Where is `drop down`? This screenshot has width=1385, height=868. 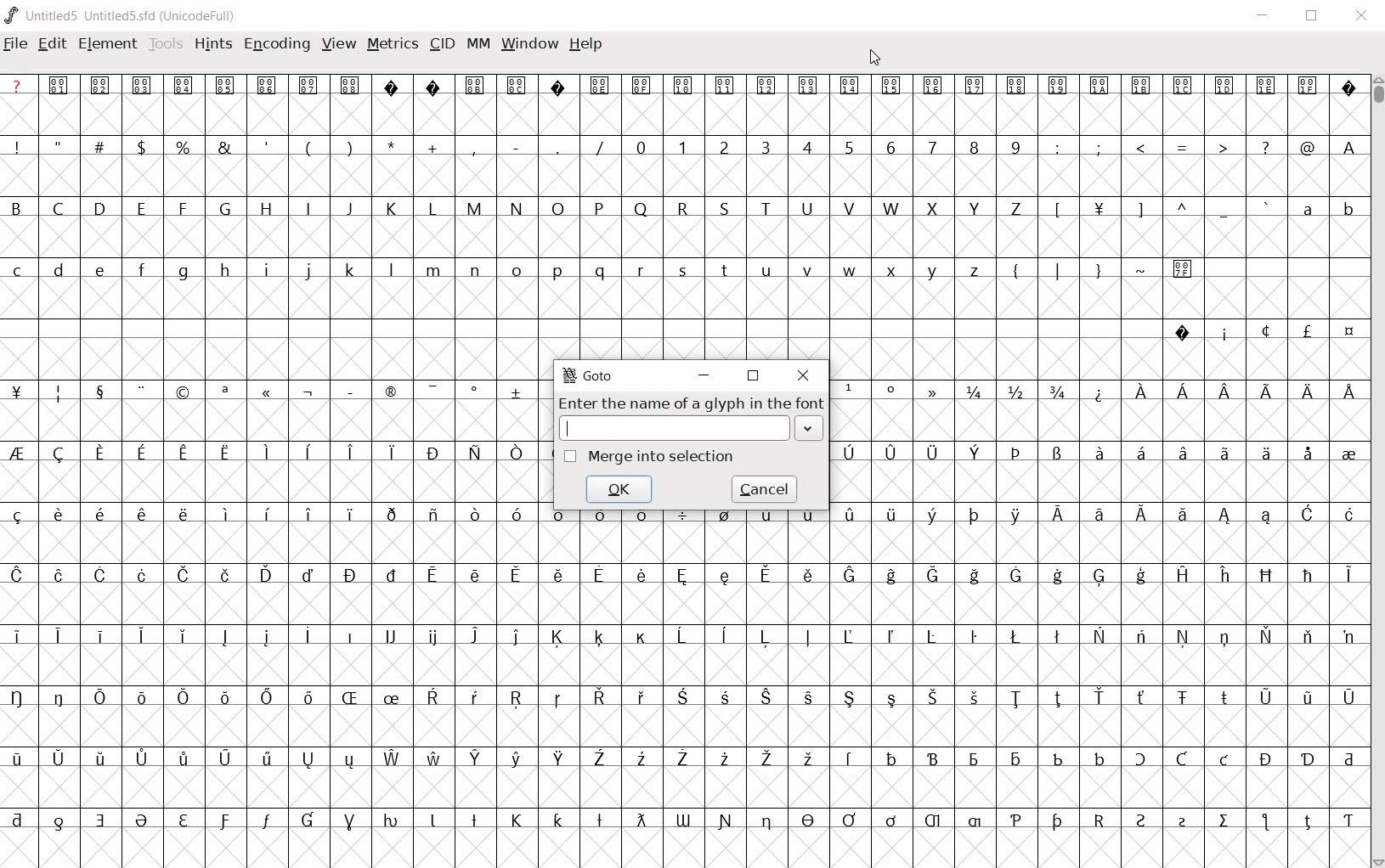 drop down is located at coordinates (811, 429).